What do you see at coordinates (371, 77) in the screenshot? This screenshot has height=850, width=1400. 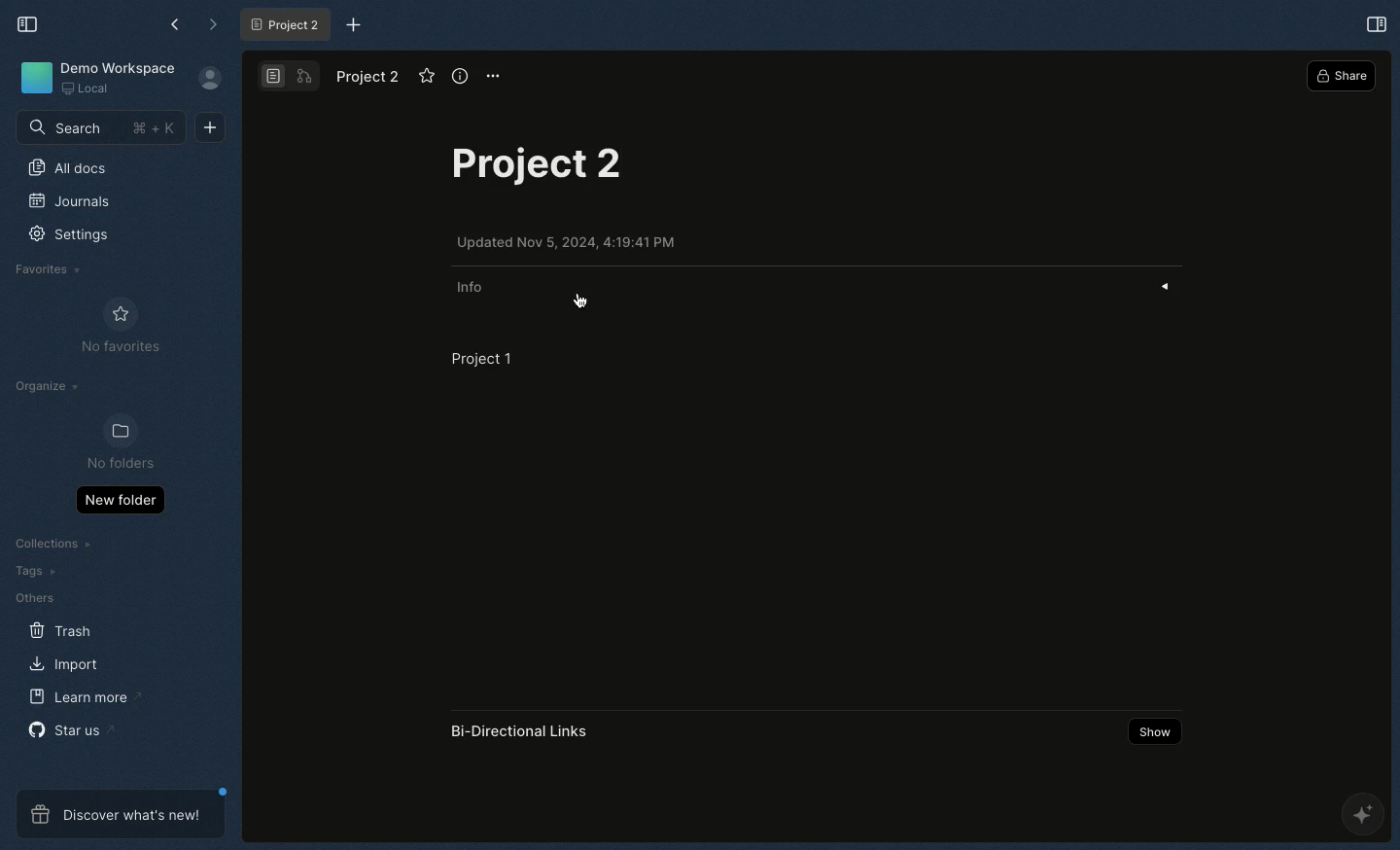 I see `Project name` at bounding box center [371, 77].